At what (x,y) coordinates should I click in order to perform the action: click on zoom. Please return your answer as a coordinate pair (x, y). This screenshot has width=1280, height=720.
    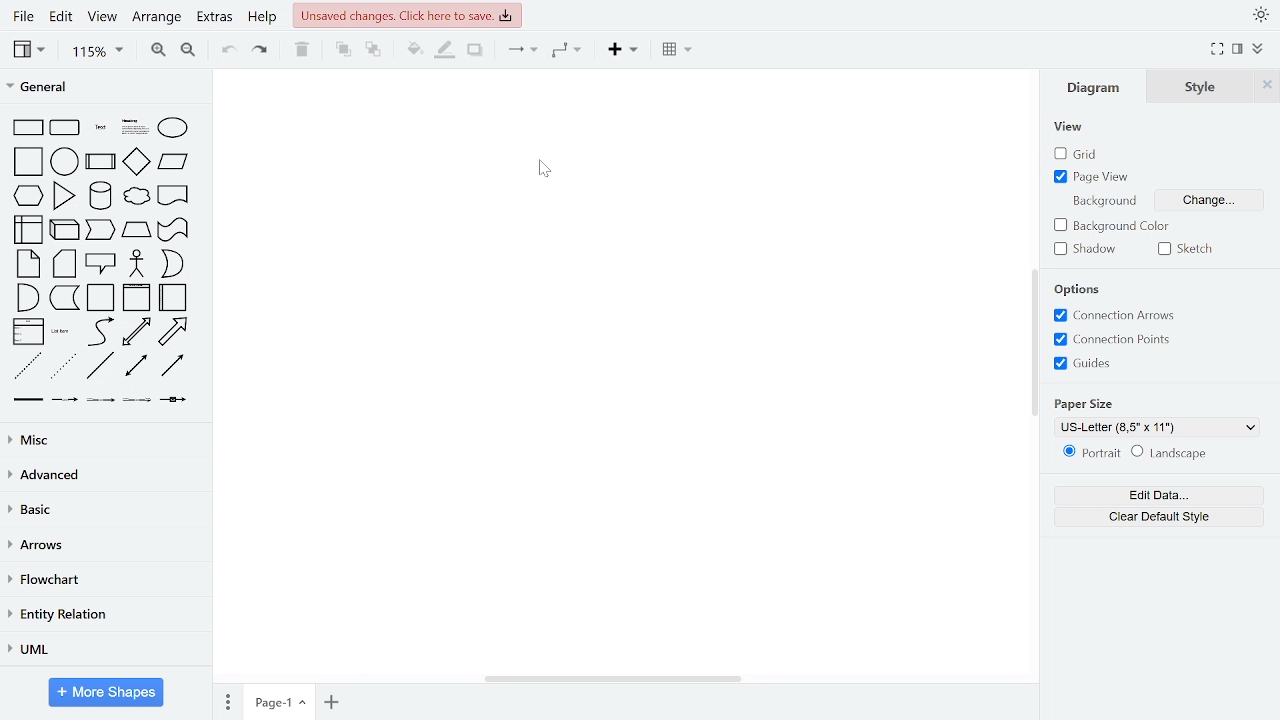
    Looking at the image, I should click on (97, 52).